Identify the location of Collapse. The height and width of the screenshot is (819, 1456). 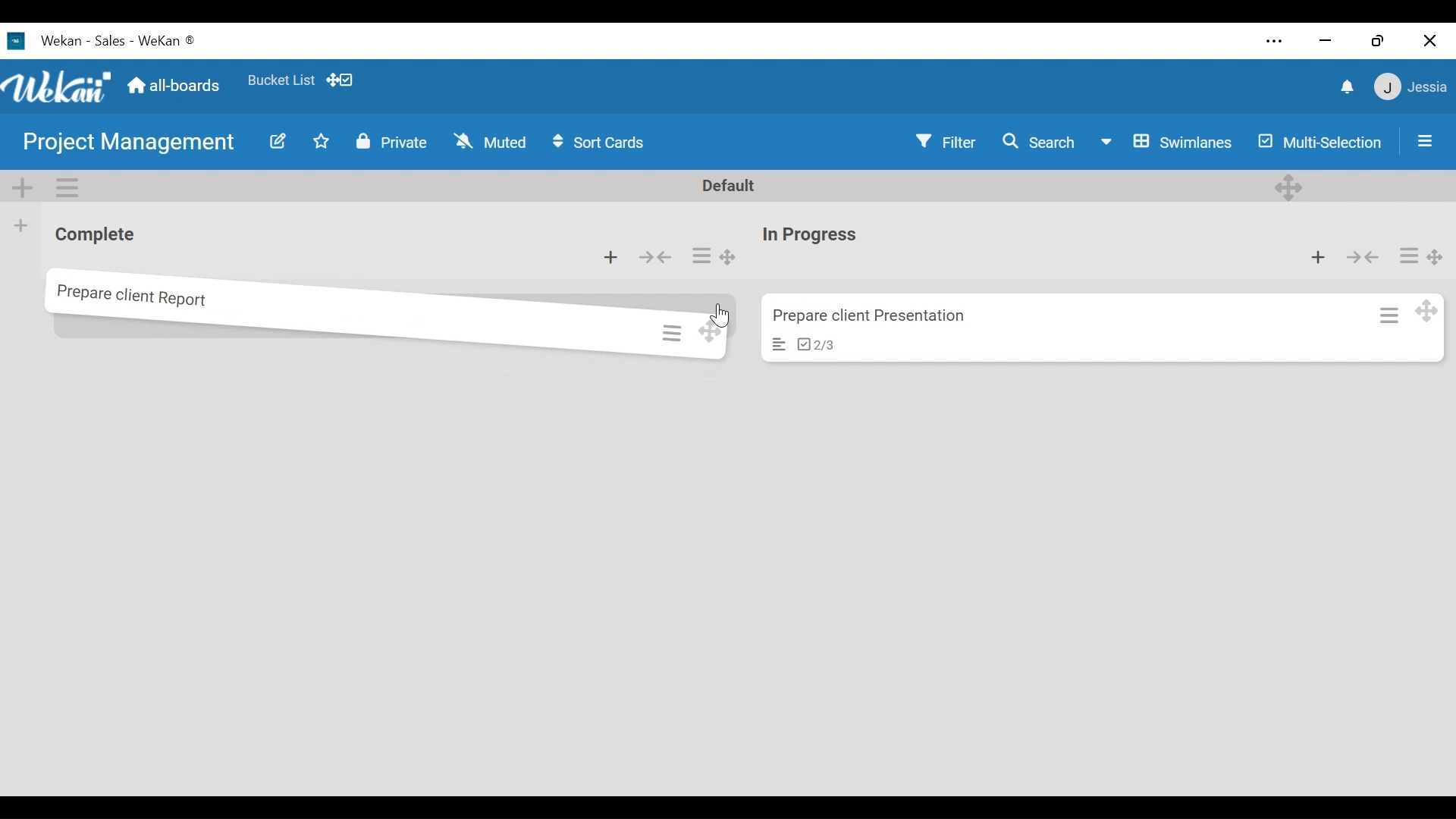
(658, 258).